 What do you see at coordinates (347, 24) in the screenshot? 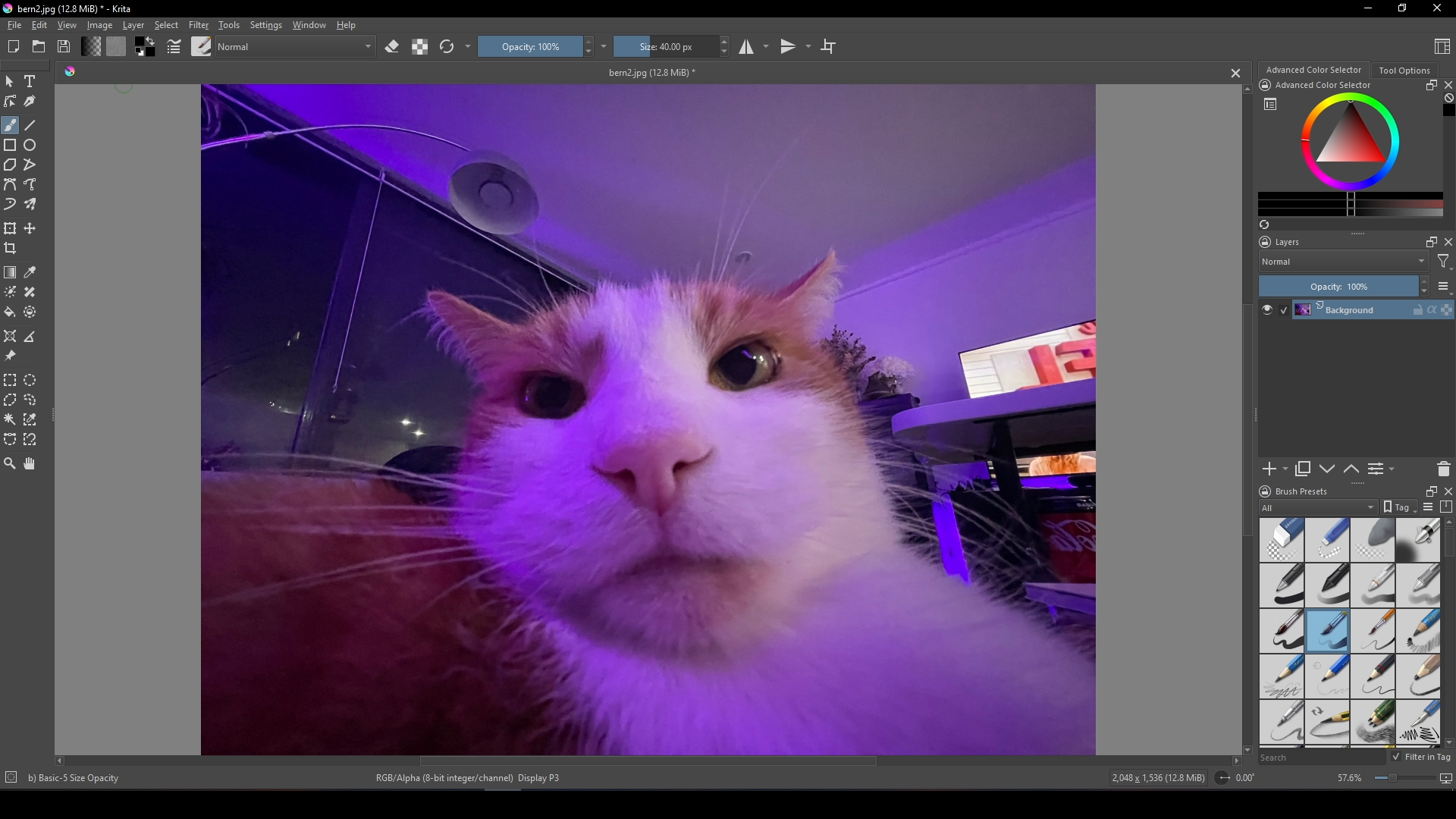
I see `Help` at bounding box center [347, 24].